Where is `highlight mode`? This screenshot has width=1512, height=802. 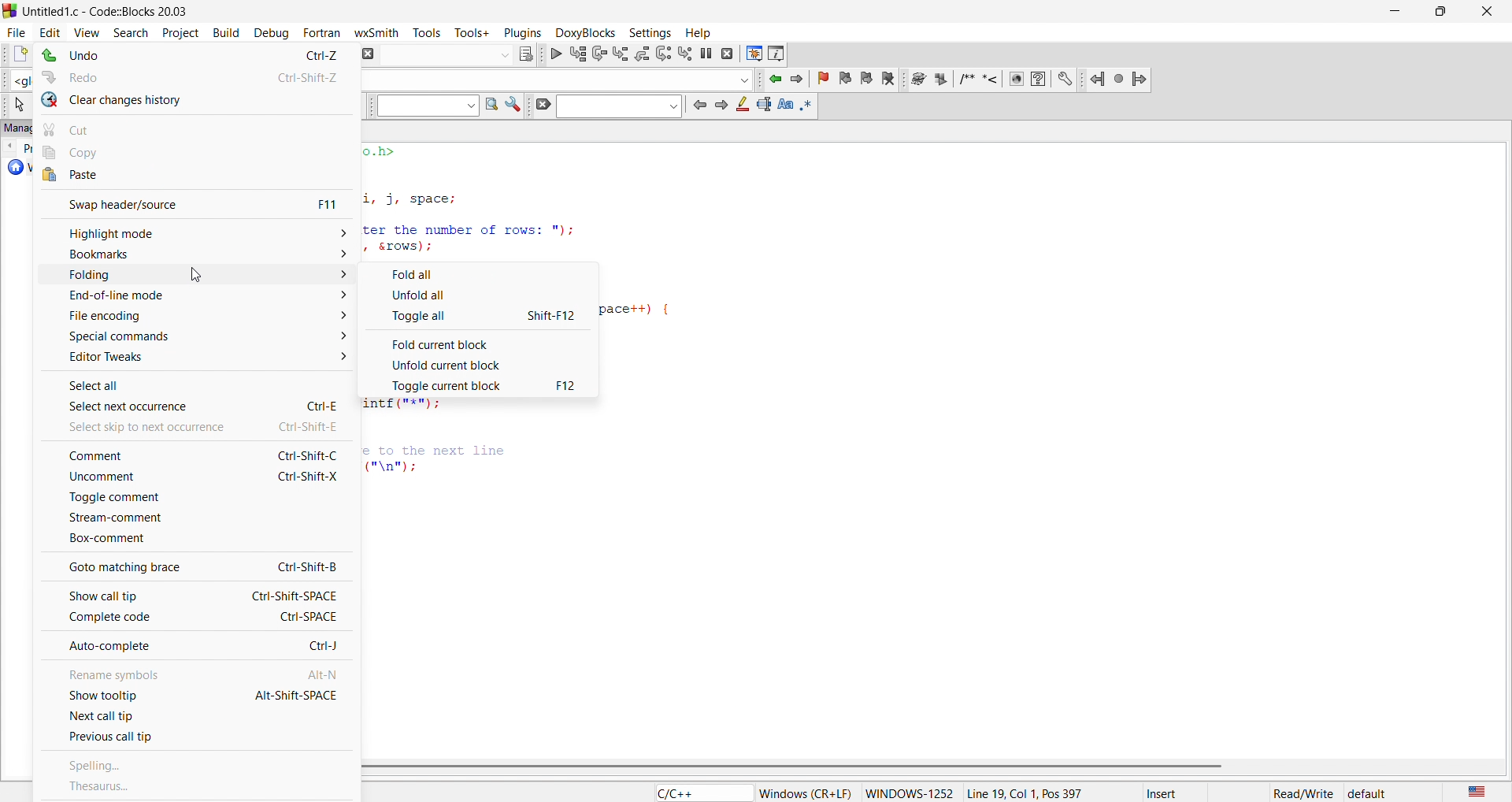
highlight mode is located at coordinates (194, 232).